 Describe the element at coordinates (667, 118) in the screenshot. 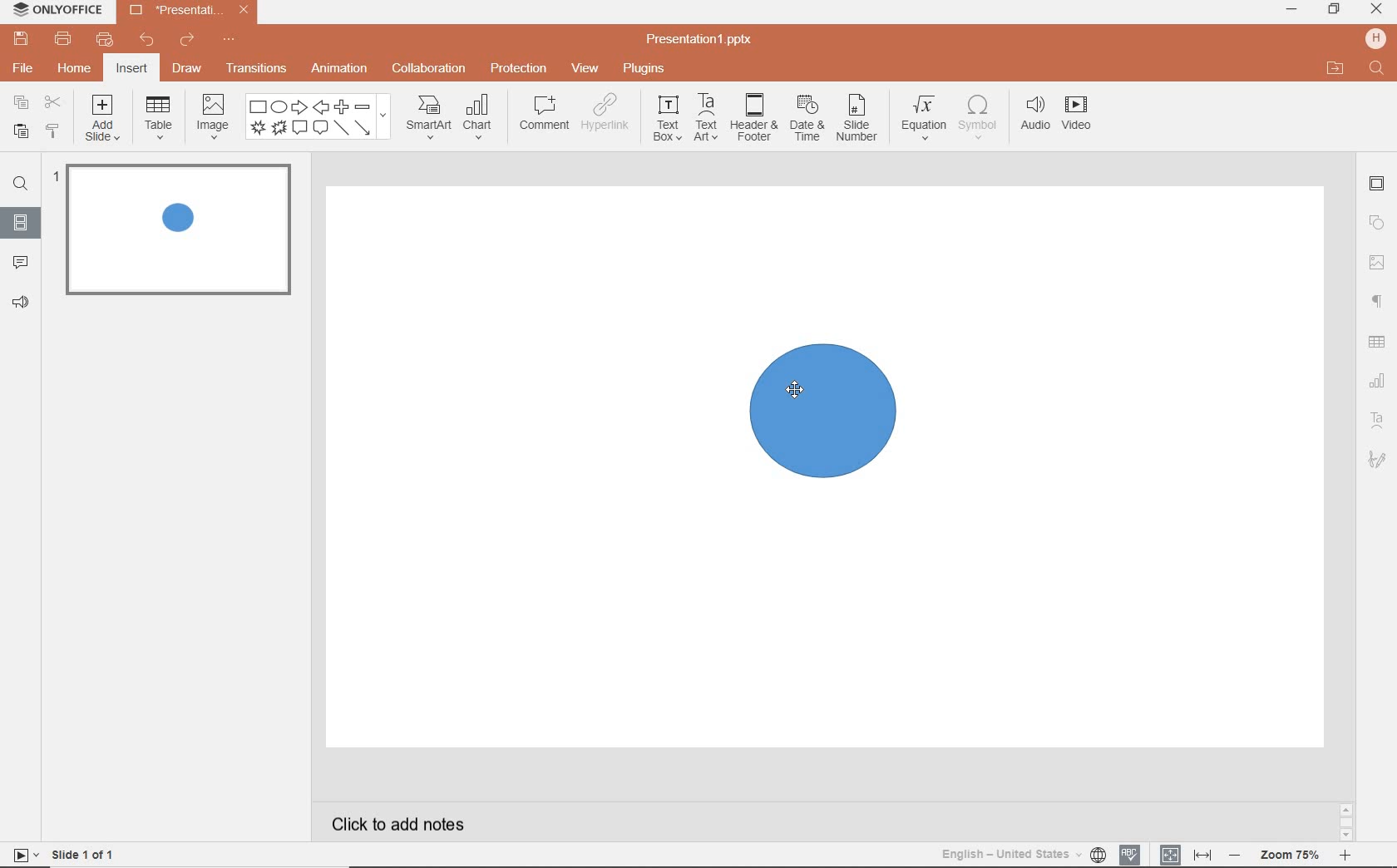

I see `text box` at that location.